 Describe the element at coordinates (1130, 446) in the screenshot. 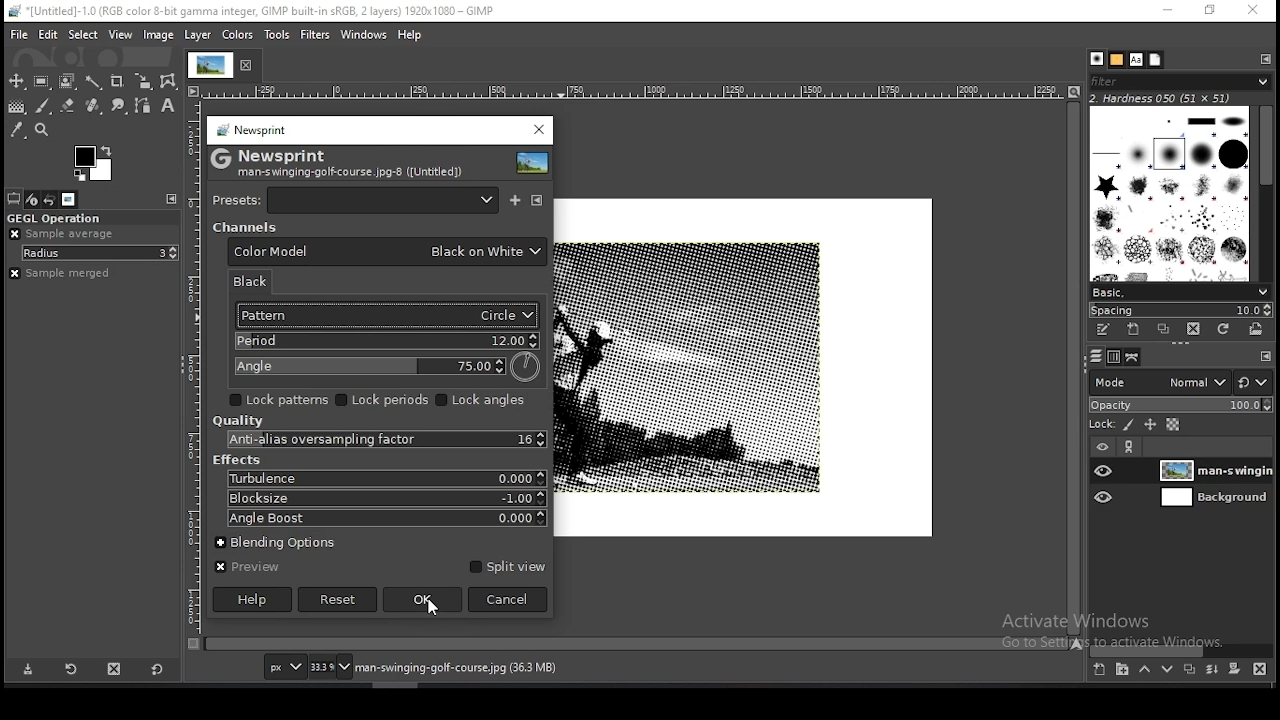

I see `link` at that location.